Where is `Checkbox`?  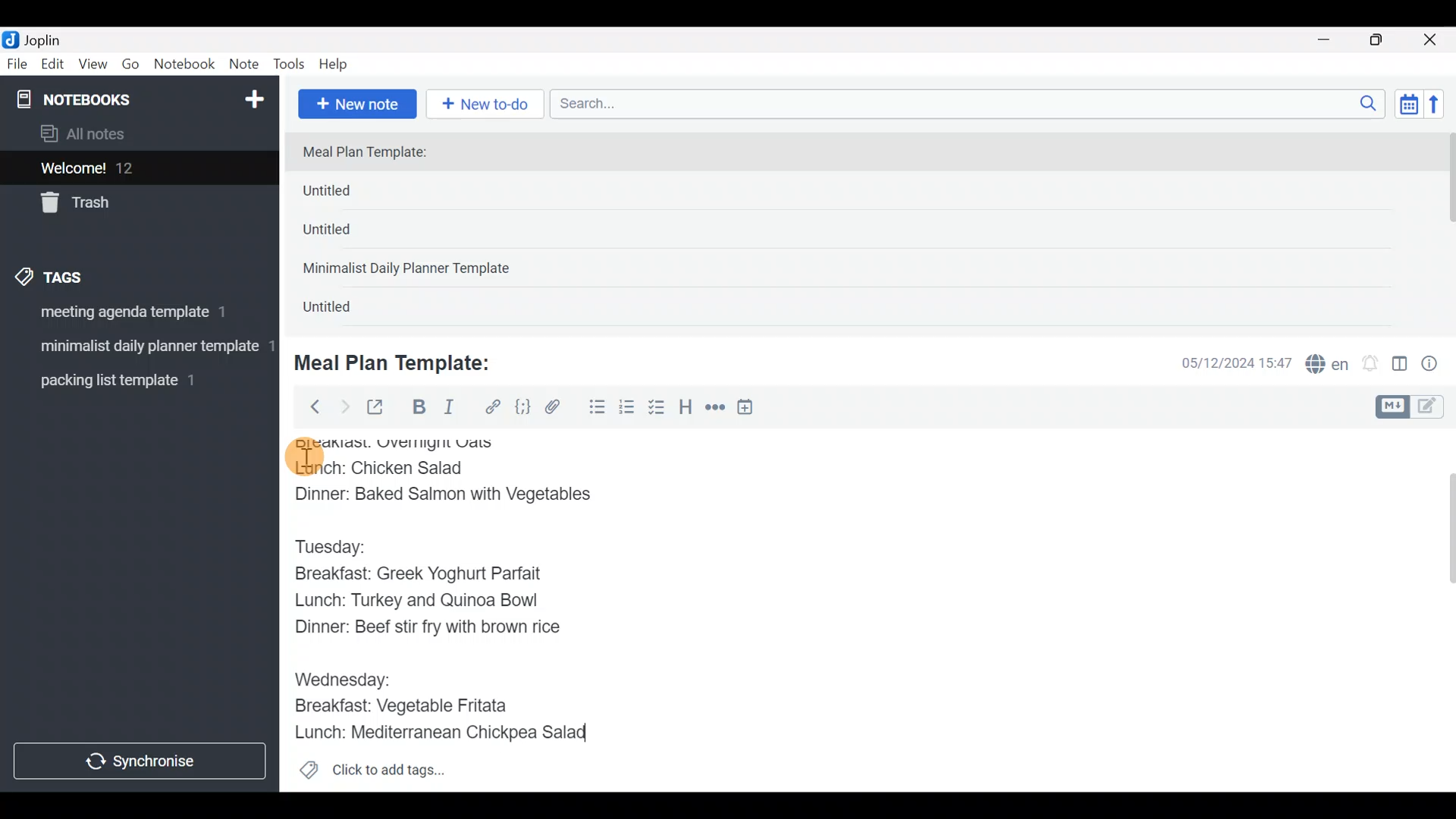 Checkbox is located at coordinates (658, 409).